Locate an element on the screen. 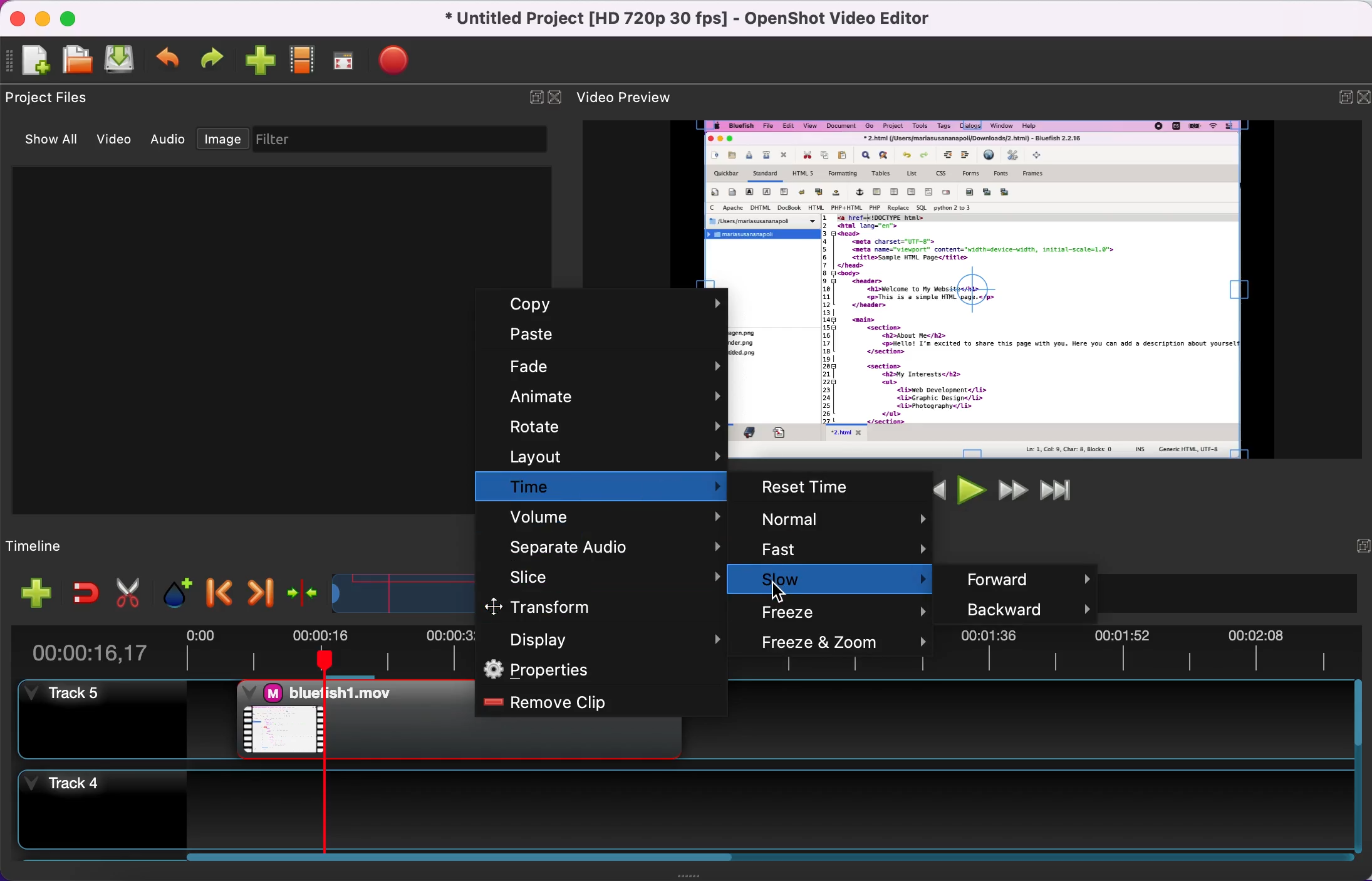 The image size is (1372, 881). separate audio is located at coordinates (605, 543).